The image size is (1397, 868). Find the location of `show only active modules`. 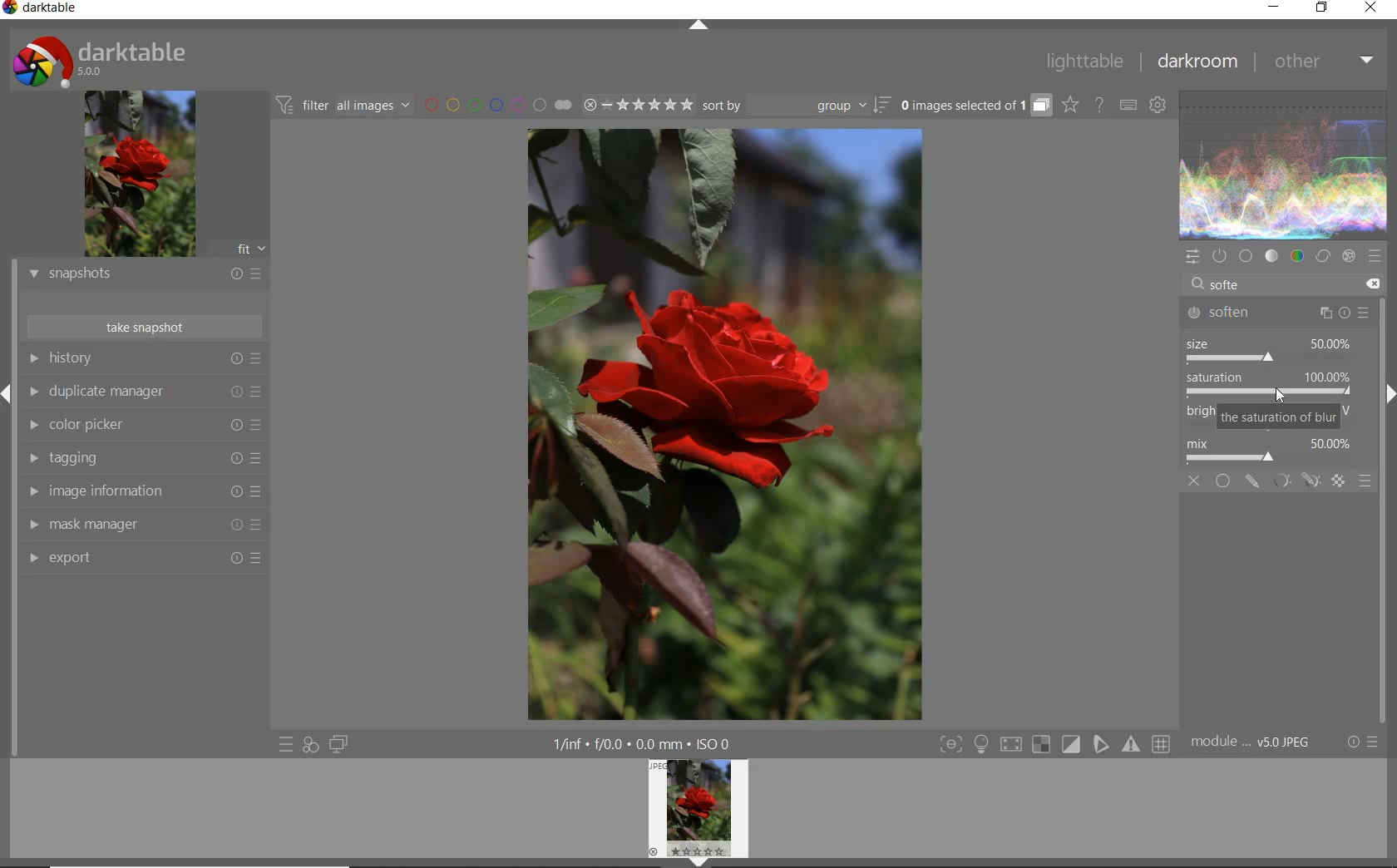

show only active modules is located at coordinates (1218, 254).